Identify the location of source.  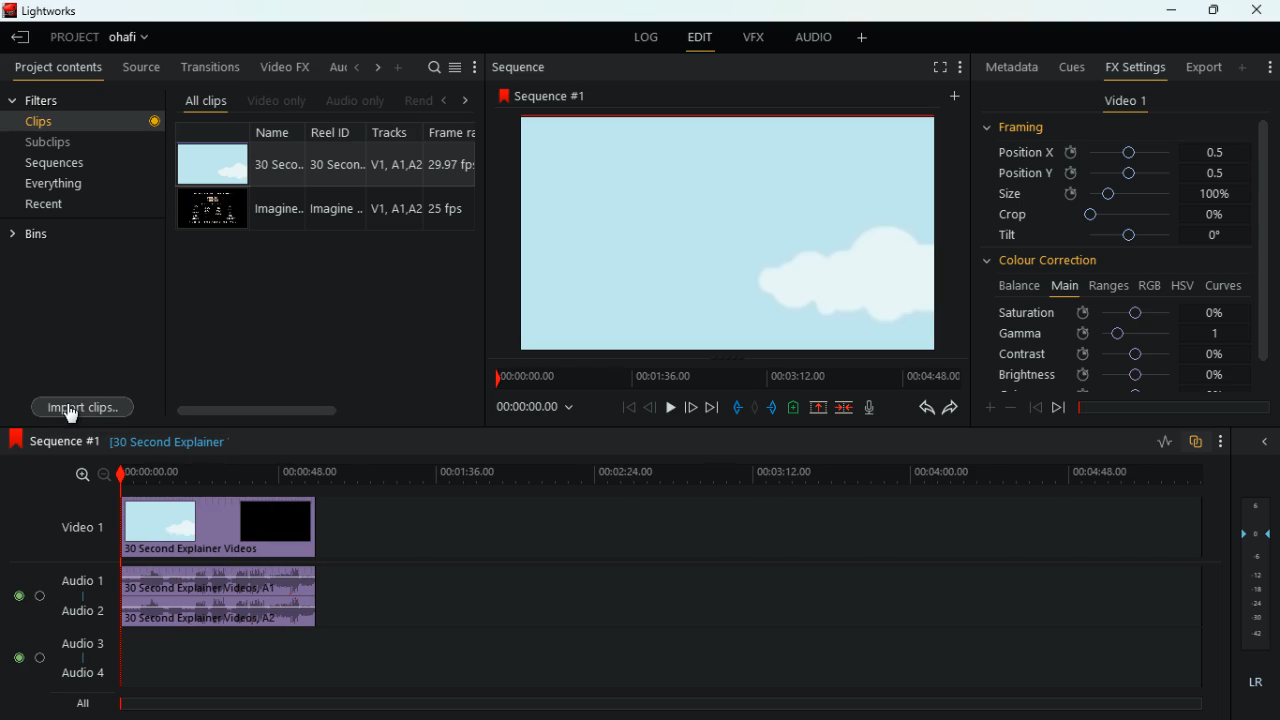
(141, 67).